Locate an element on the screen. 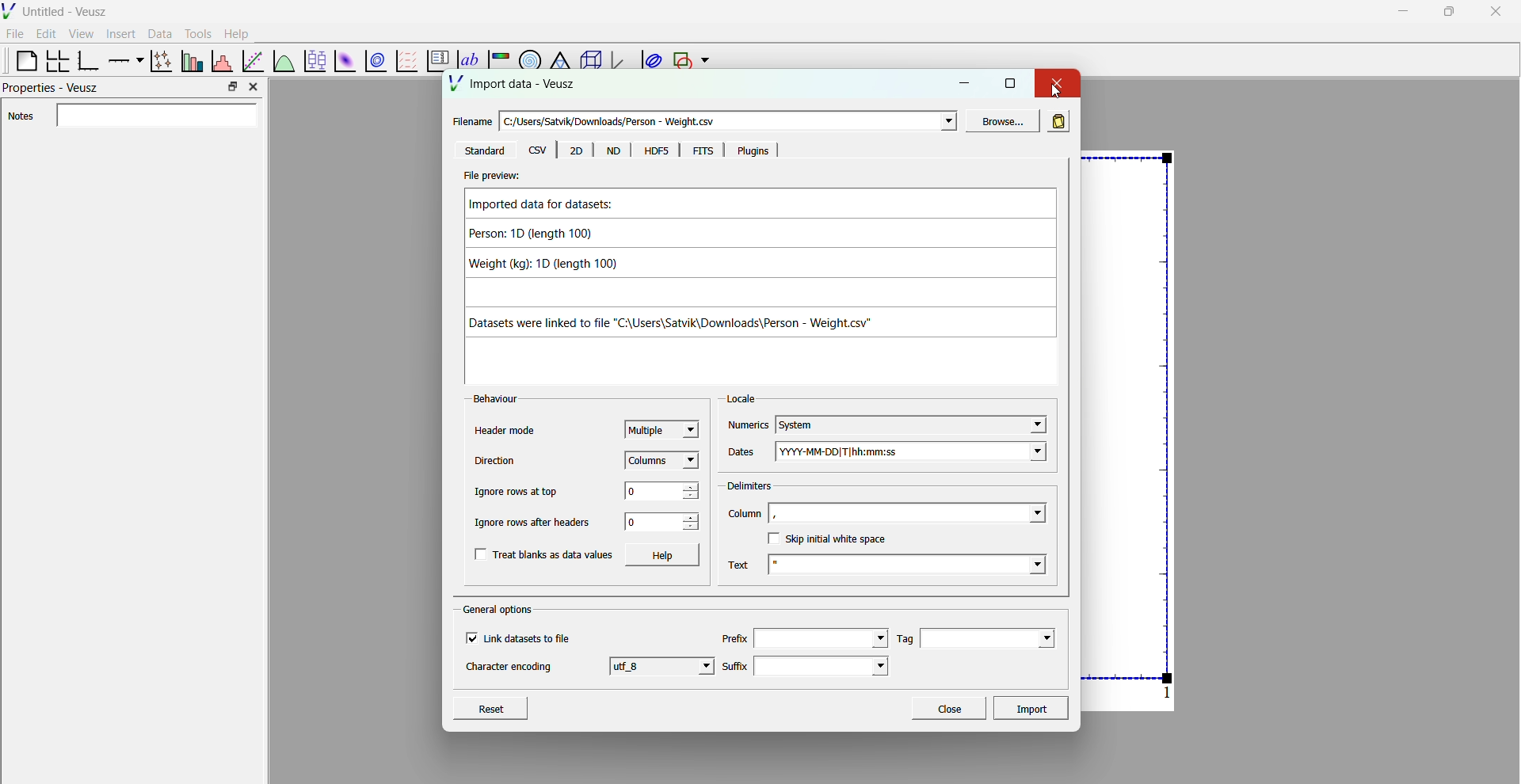 The height and width of the screenshot is (784, 1521). close property bar is located at coordinates (255, 86).